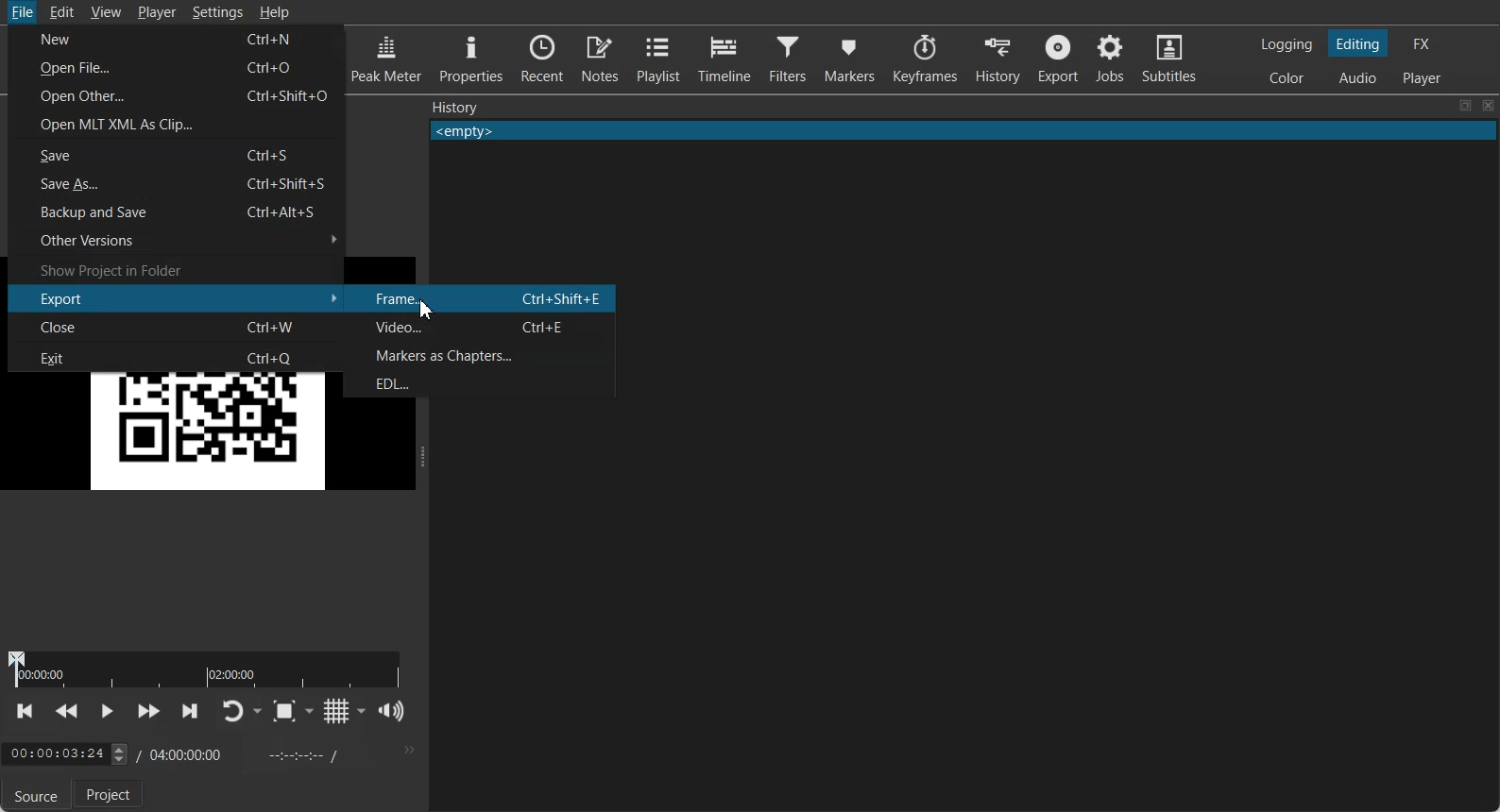 The height and width of the screenshot is (812, 1500). What do you see at coordinates (278, 356) in the screenshot?
I see `Ctrl+Q` at bounding box center [278, 356].